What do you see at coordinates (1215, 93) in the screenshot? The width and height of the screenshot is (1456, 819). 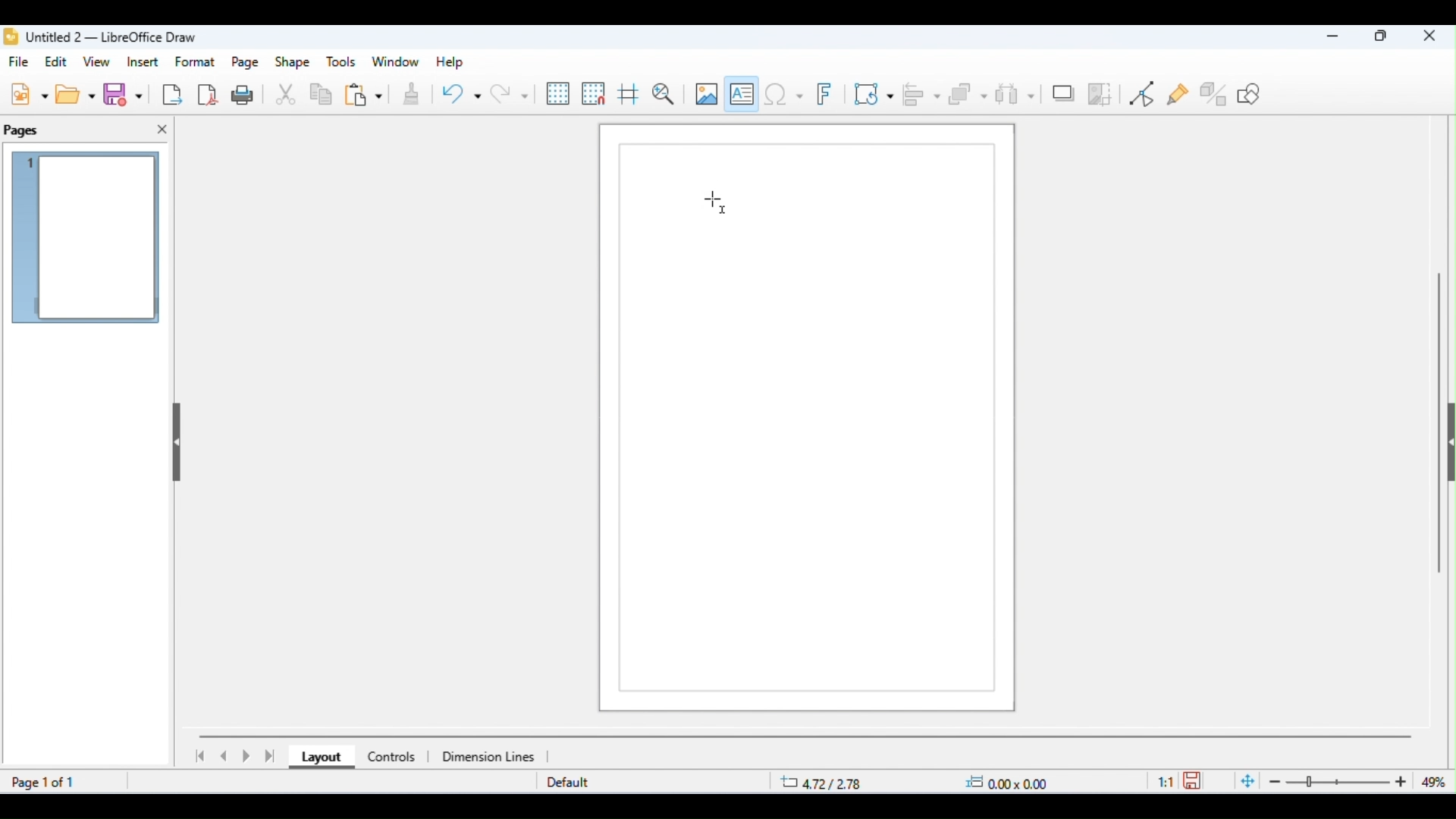 I see `show extrusion` at bounding box center [1215, 93].